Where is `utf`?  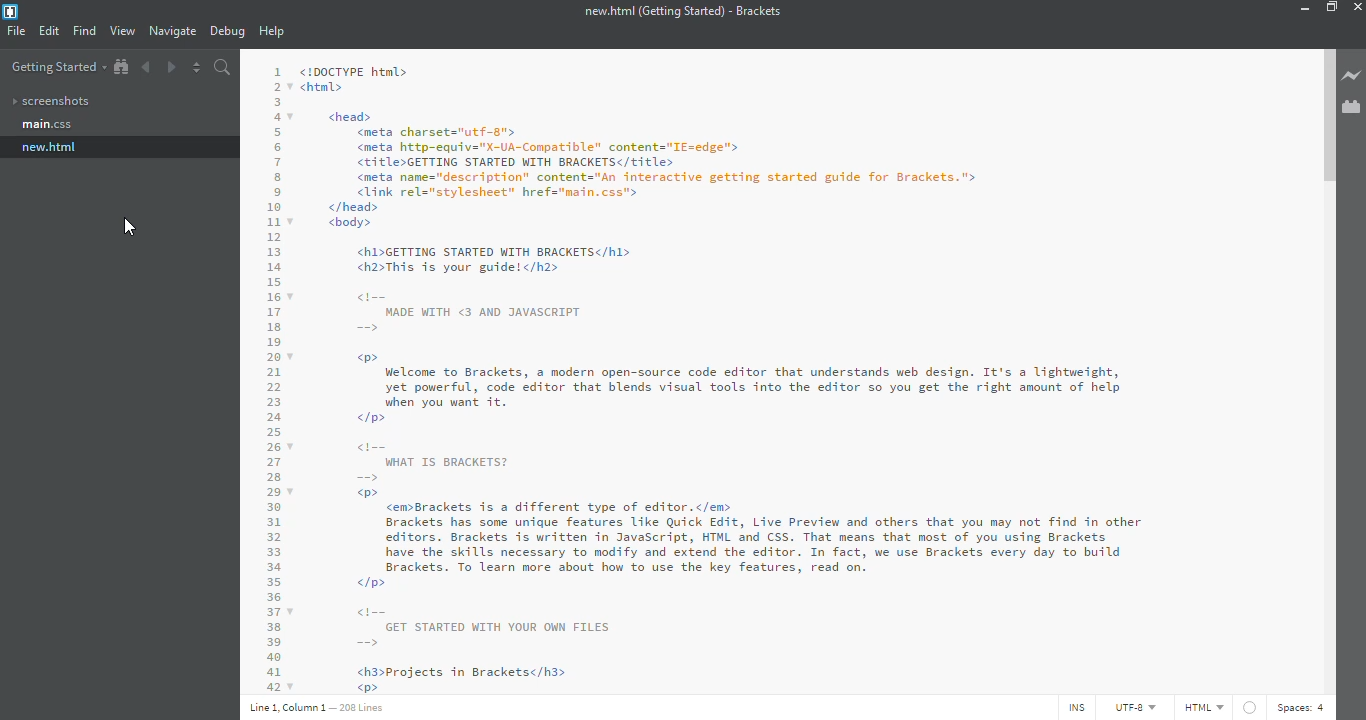
utf is located at coordinates (1128, 708).